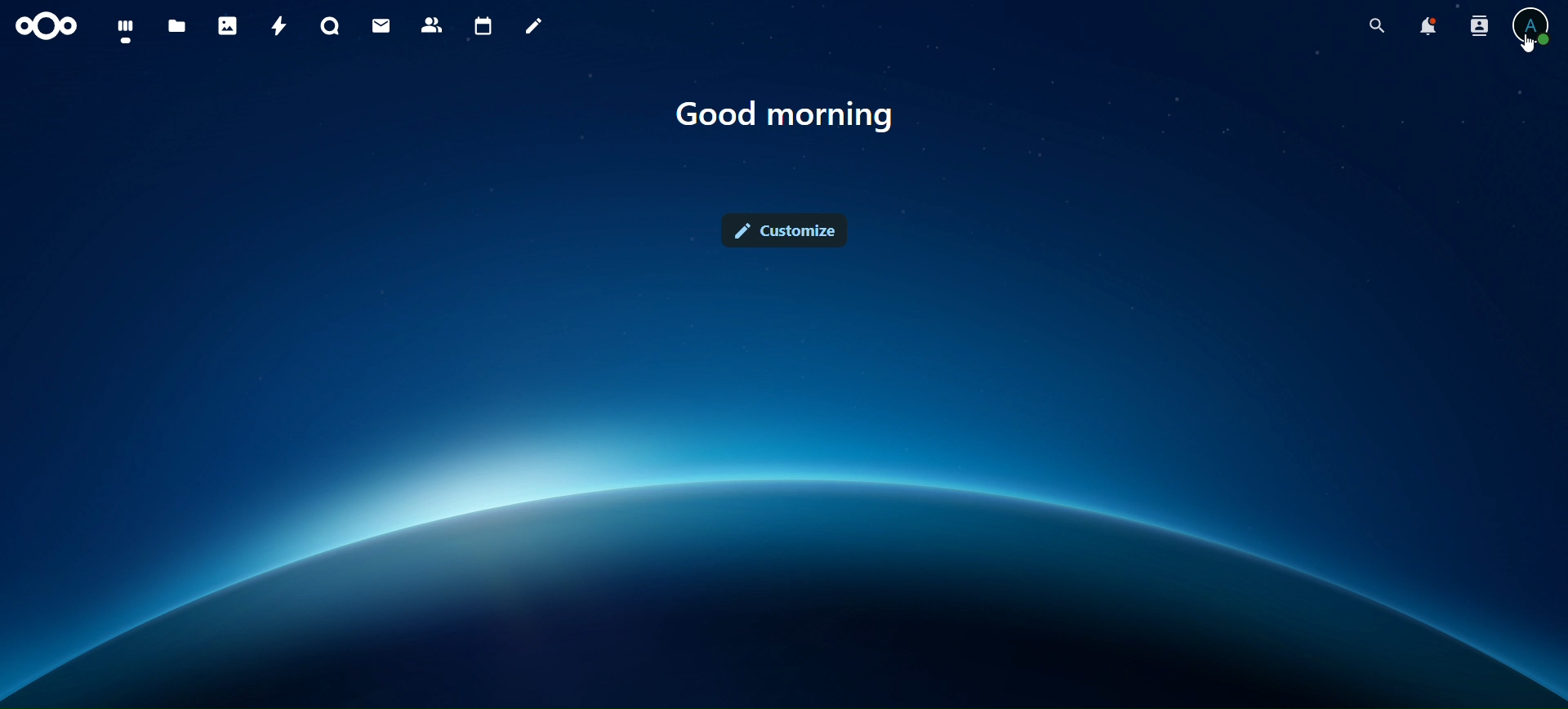 The width and height of the screenshot is (1568, 709). I want to click on notifications, so click(1420, 25).